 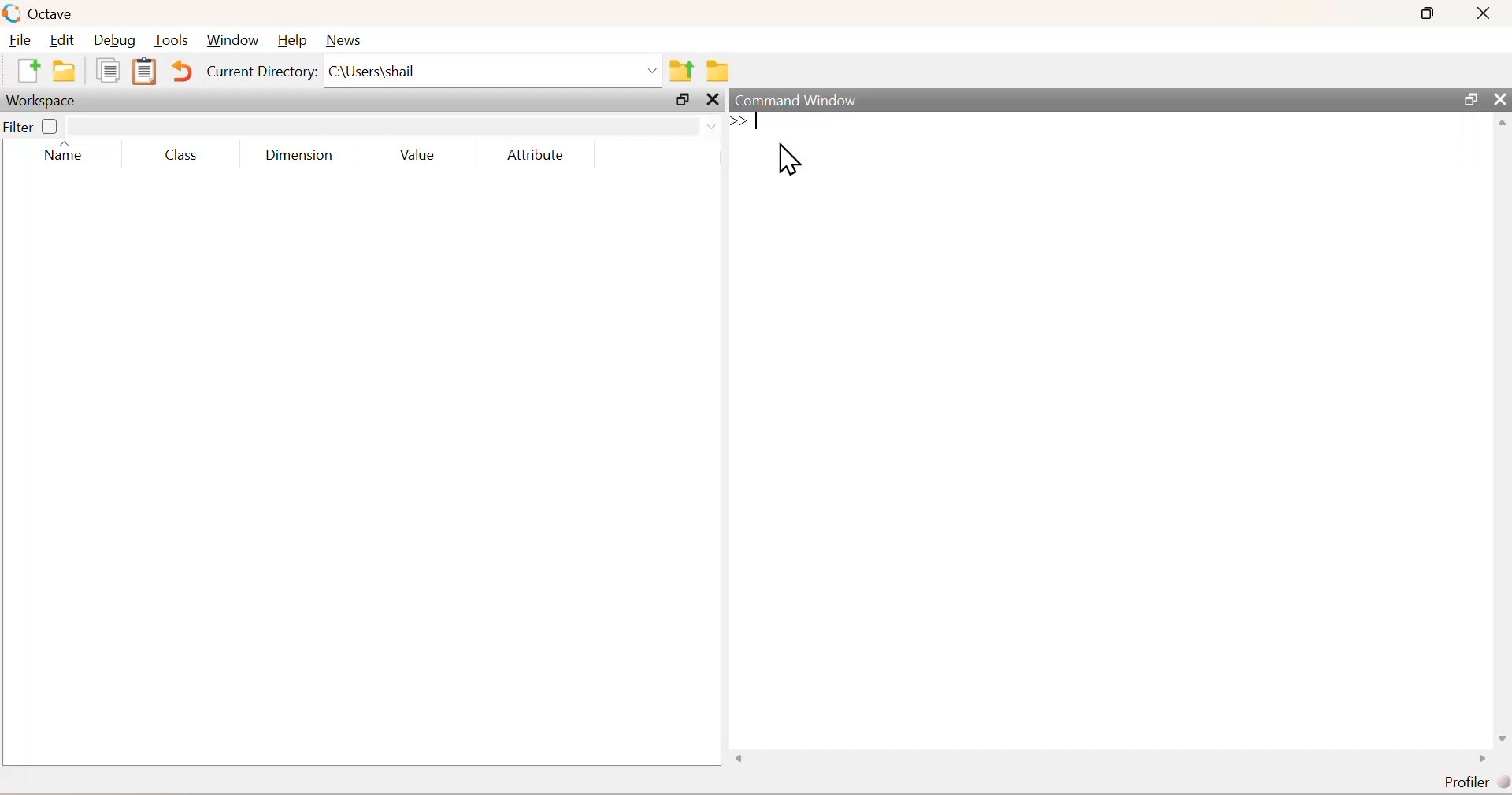 I want to click on down, so click(x=712, y=127).